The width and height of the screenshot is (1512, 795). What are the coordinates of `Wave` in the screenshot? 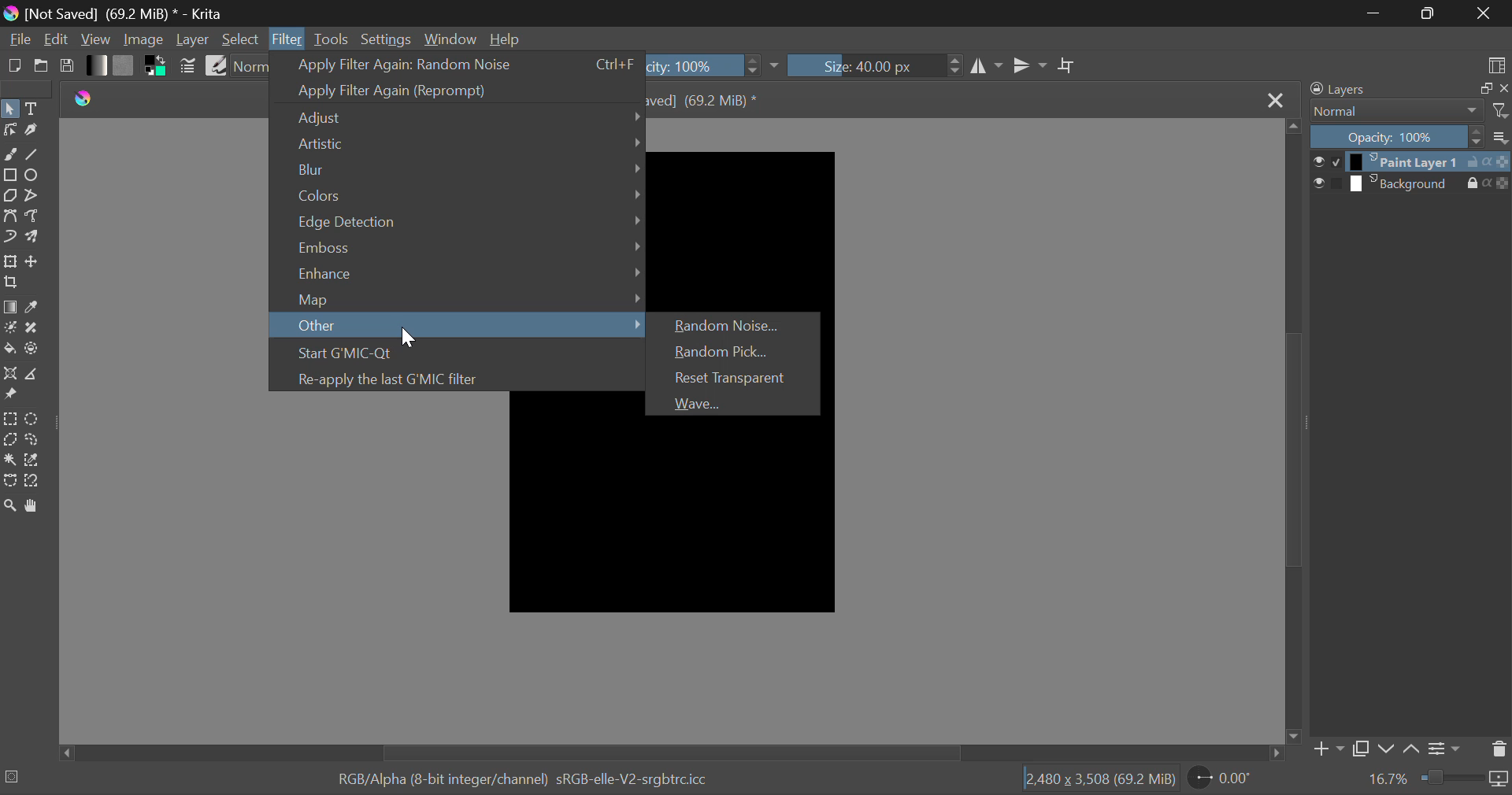 It's located at (729, 403).